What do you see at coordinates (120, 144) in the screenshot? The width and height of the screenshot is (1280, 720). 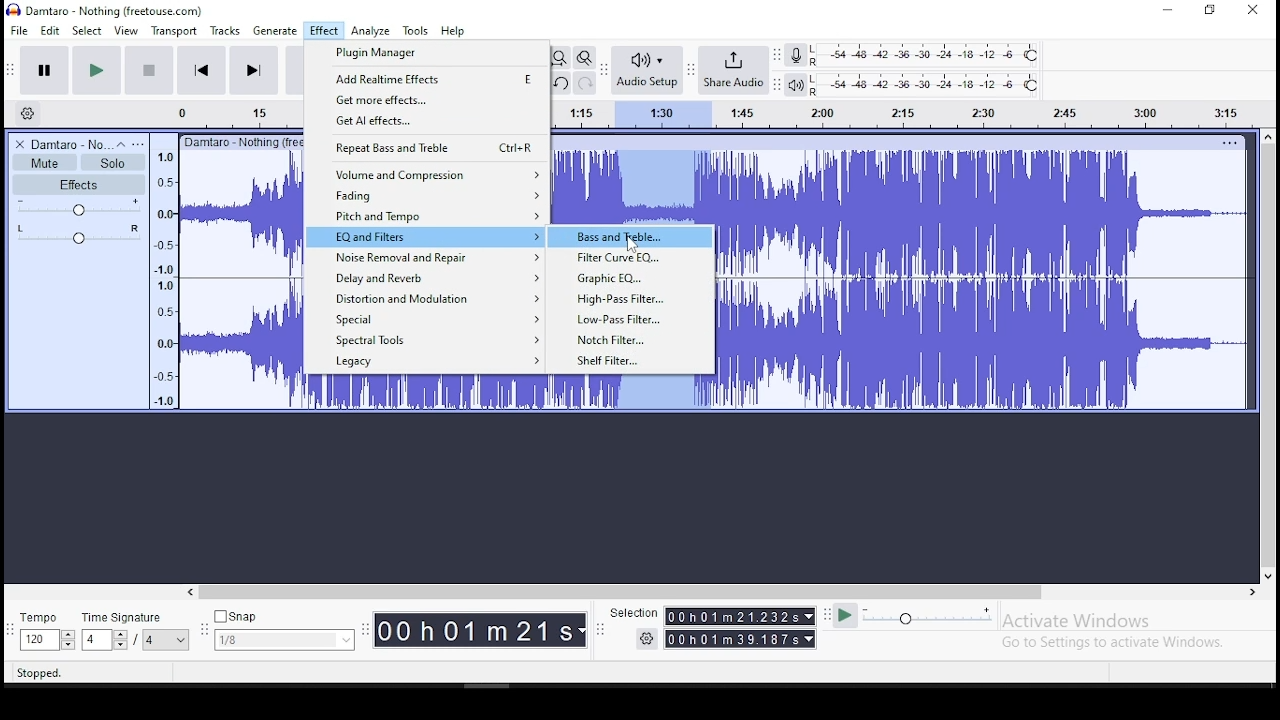 I see `collapse` at bounding box center [120, 144].